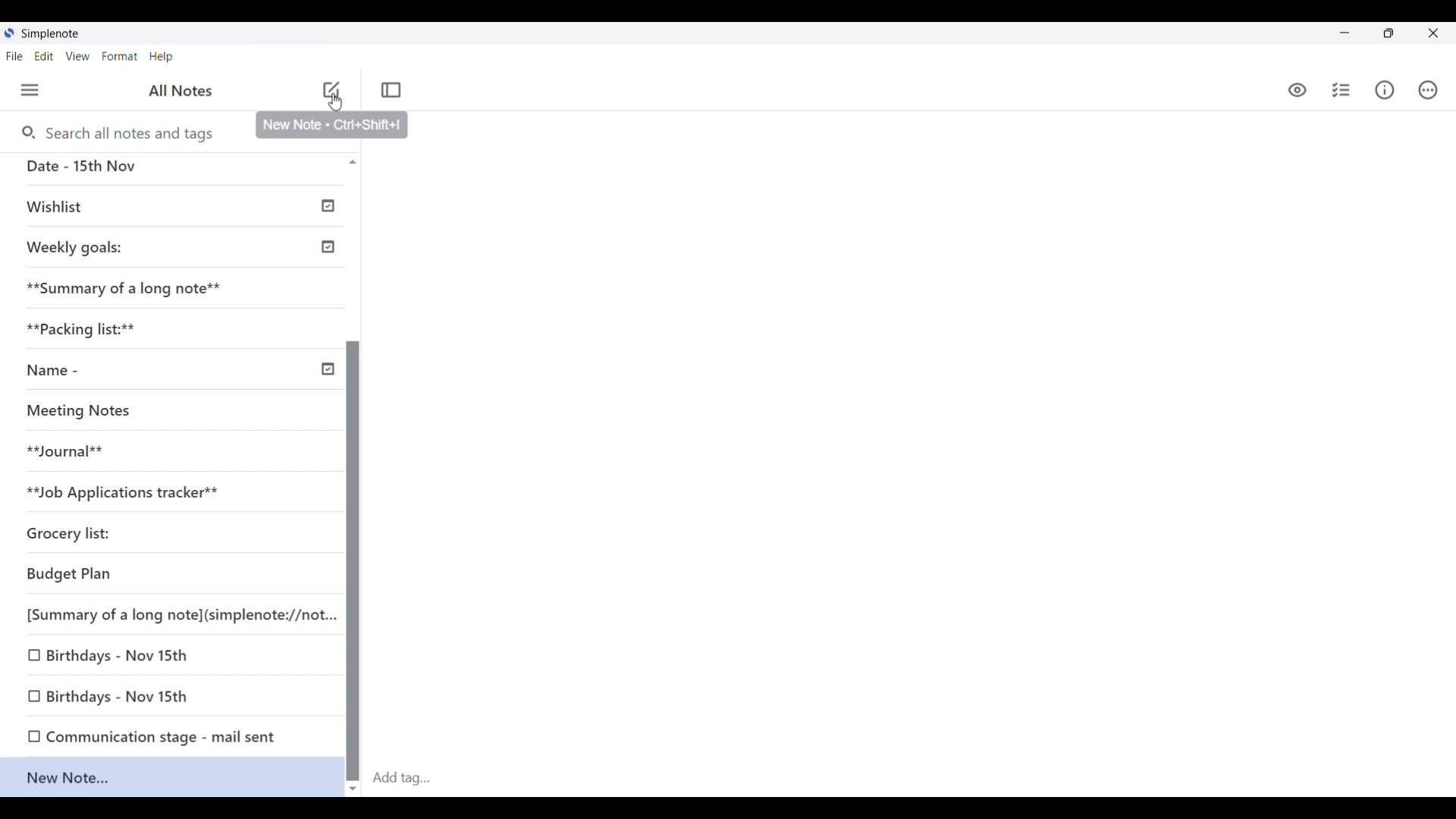  What do you see at coordinates (28, 737) in the screenshot?
I see `checkbox` at bounding box center [28, 737].